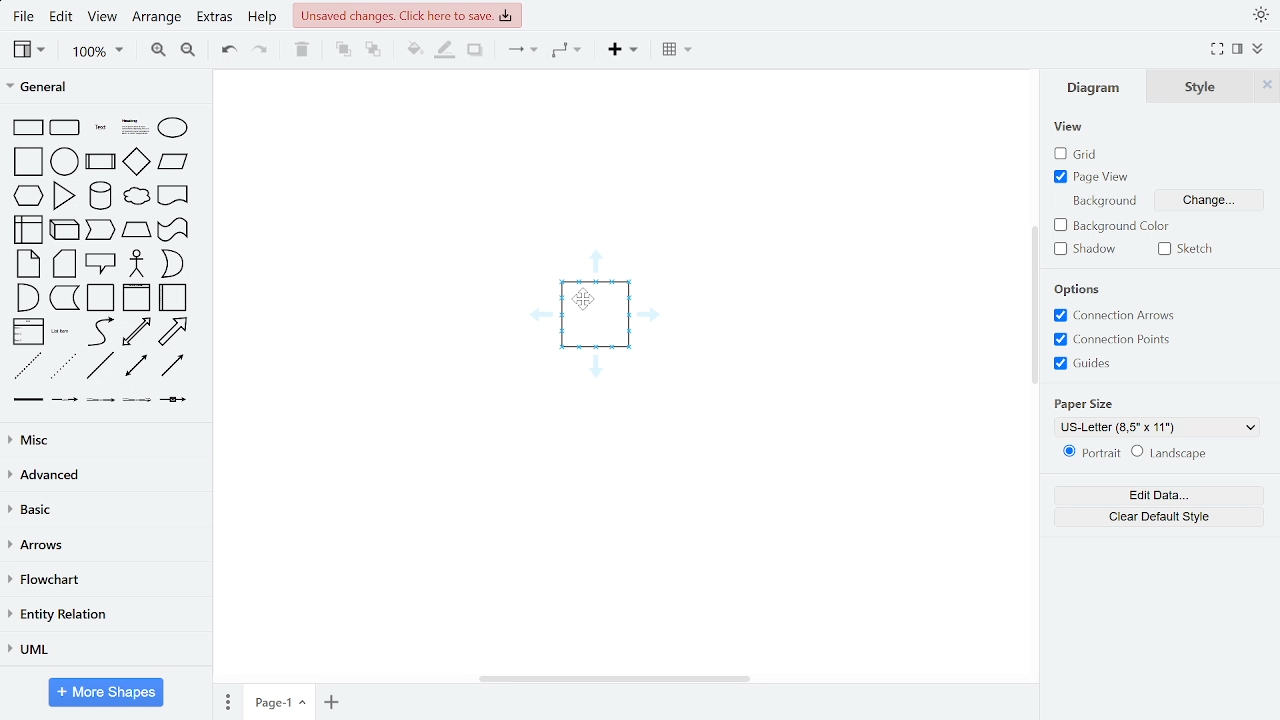 This screenshot has height=720, width=1280. I want to click on general shapes, so click(26, 229).